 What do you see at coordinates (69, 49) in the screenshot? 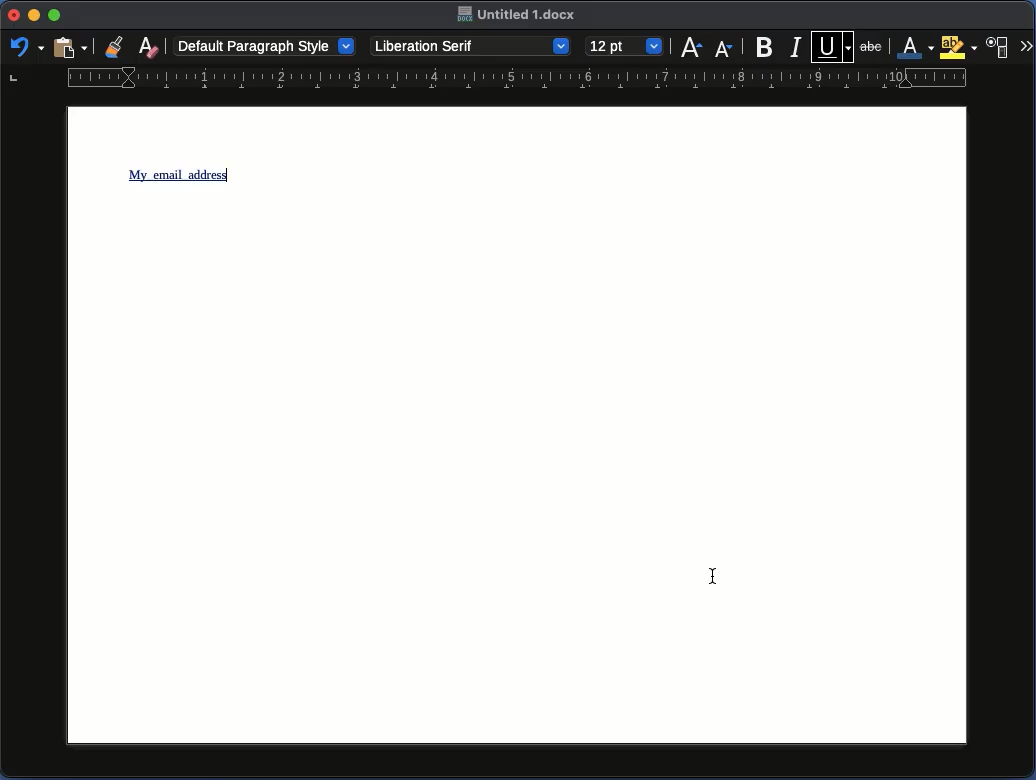
I see `Clipboard` at bounding box center [69, 49].